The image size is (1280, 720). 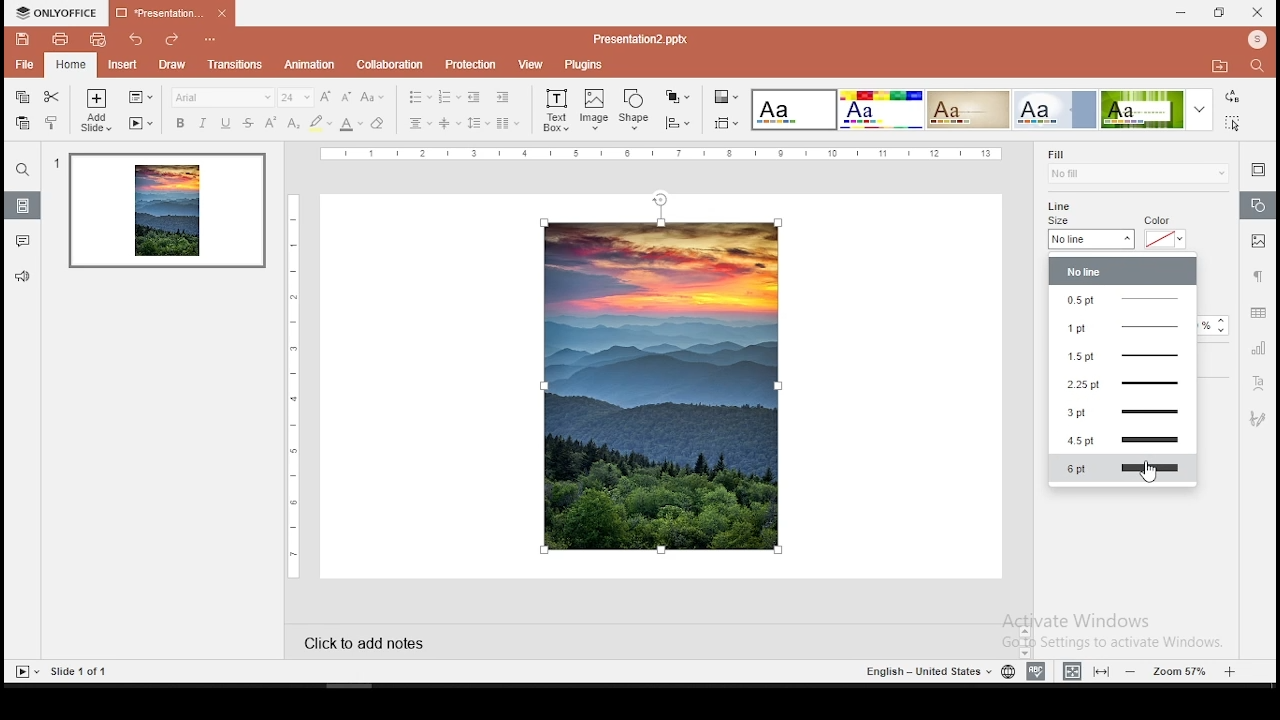 What do you see at coordinates (1123, 272) in the screenshot?
I see `no line` at bounding box center [1123, 272].